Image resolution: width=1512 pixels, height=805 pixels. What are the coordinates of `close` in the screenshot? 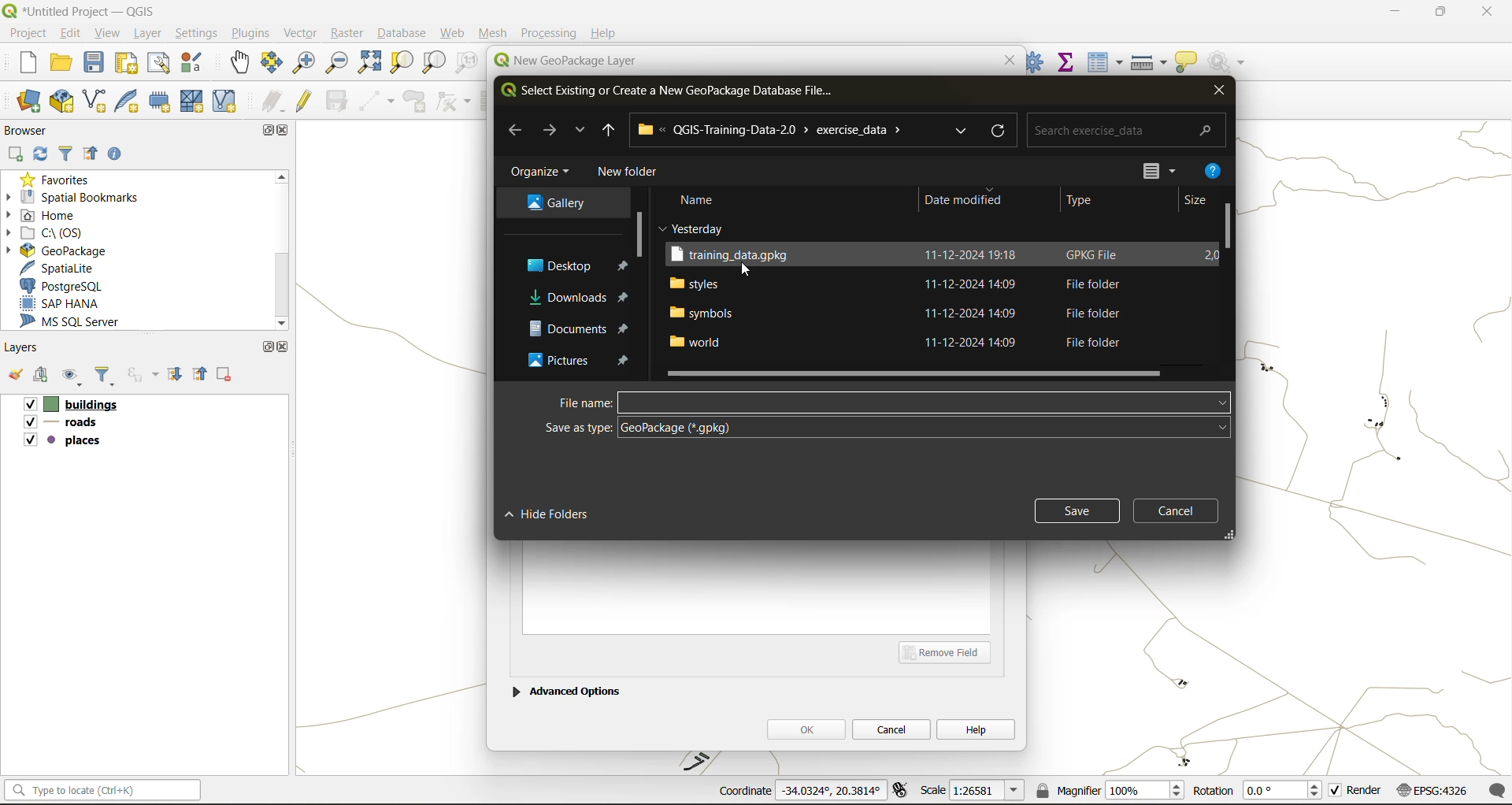 It's located at (1217, 93).